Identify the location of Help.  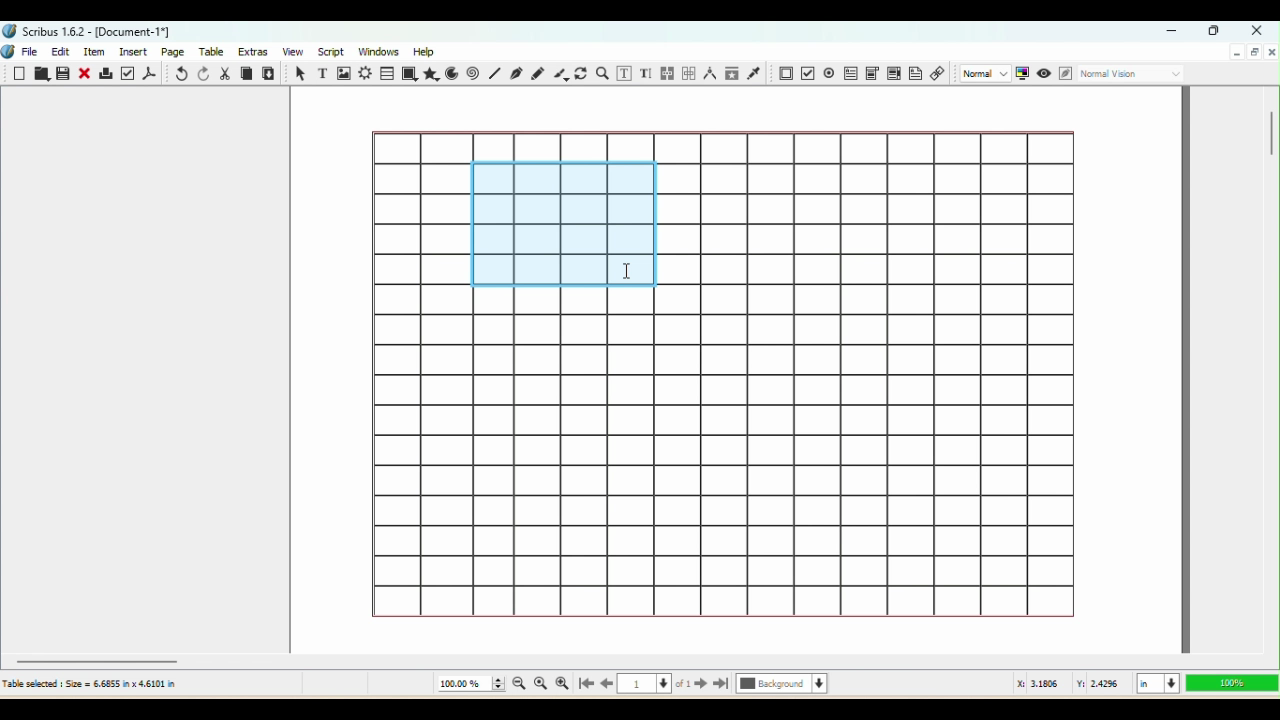
(426, 50).